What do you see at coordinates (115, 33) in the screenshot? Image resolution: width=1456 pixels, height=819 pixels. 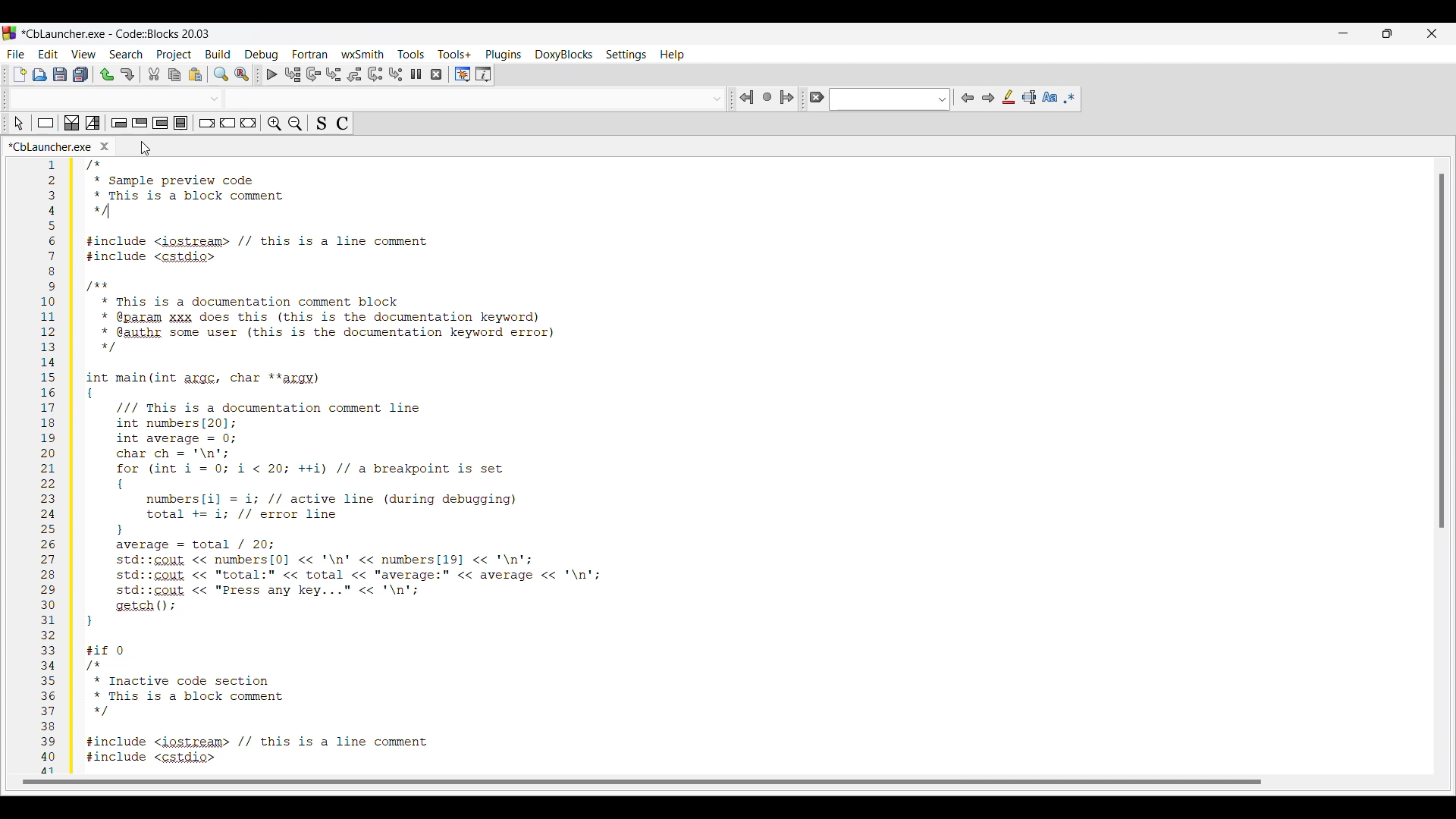 I see `Project name, software name and version` at bounding box center [115, 33].